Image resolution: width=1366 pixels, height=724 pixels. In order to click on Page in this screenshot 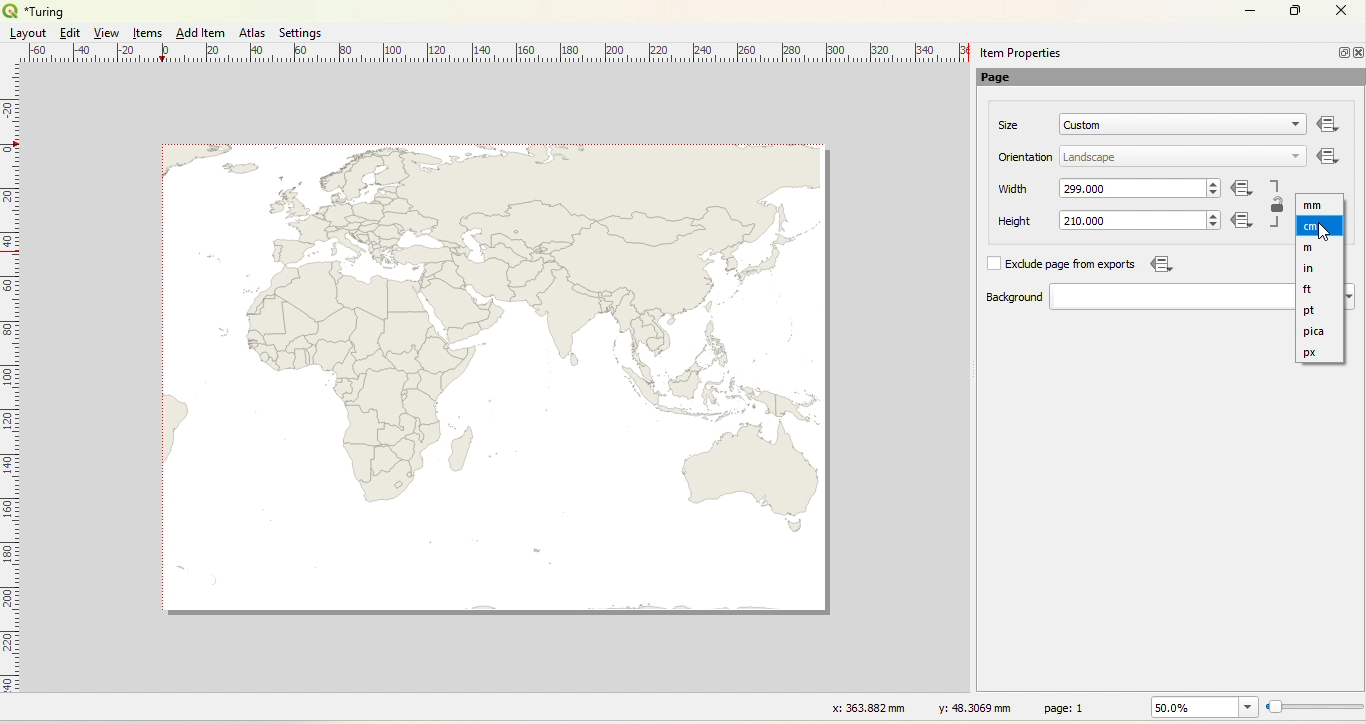, I will do `click(997, 77)`.